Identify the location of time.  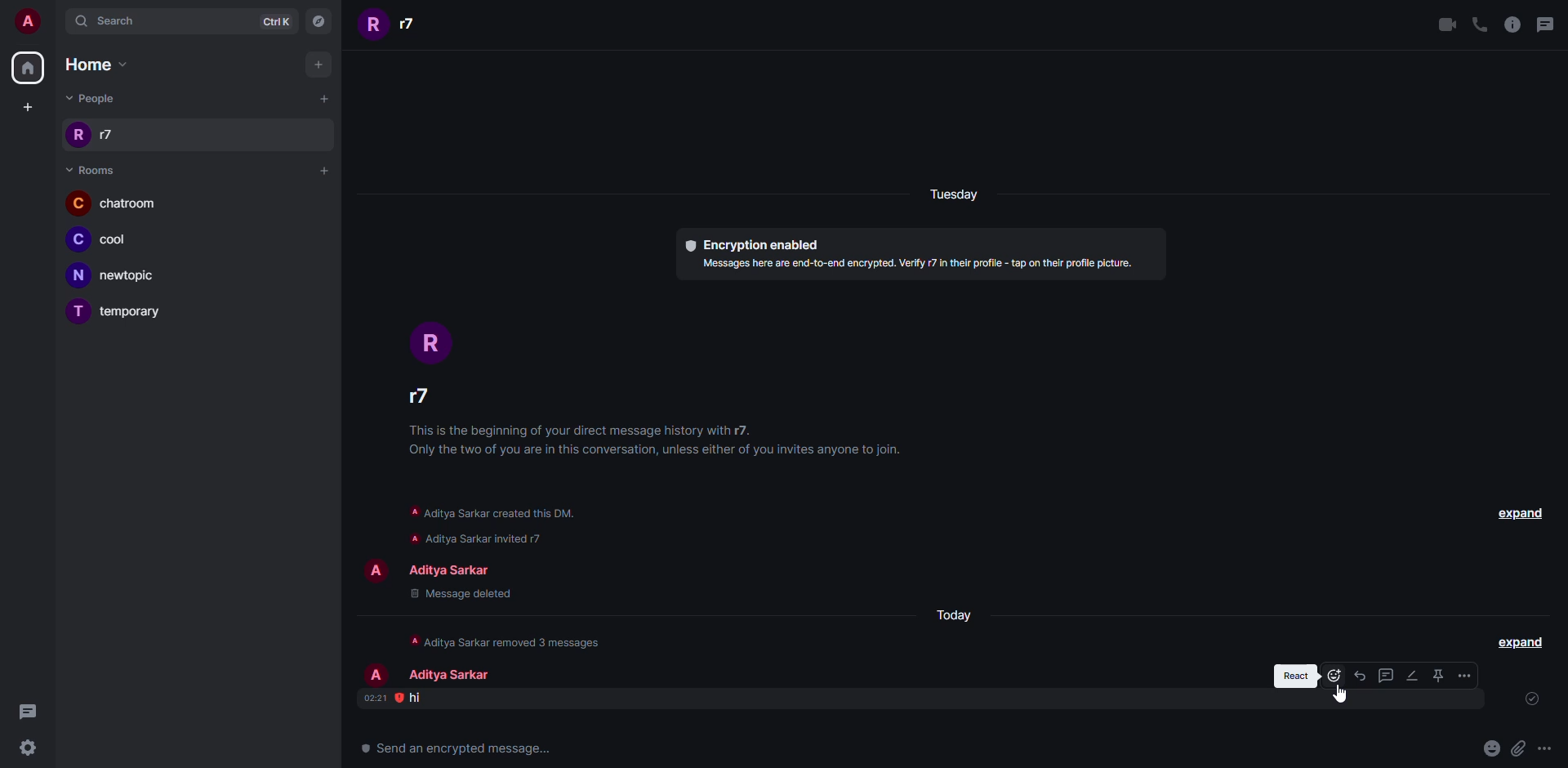
(373, 698).